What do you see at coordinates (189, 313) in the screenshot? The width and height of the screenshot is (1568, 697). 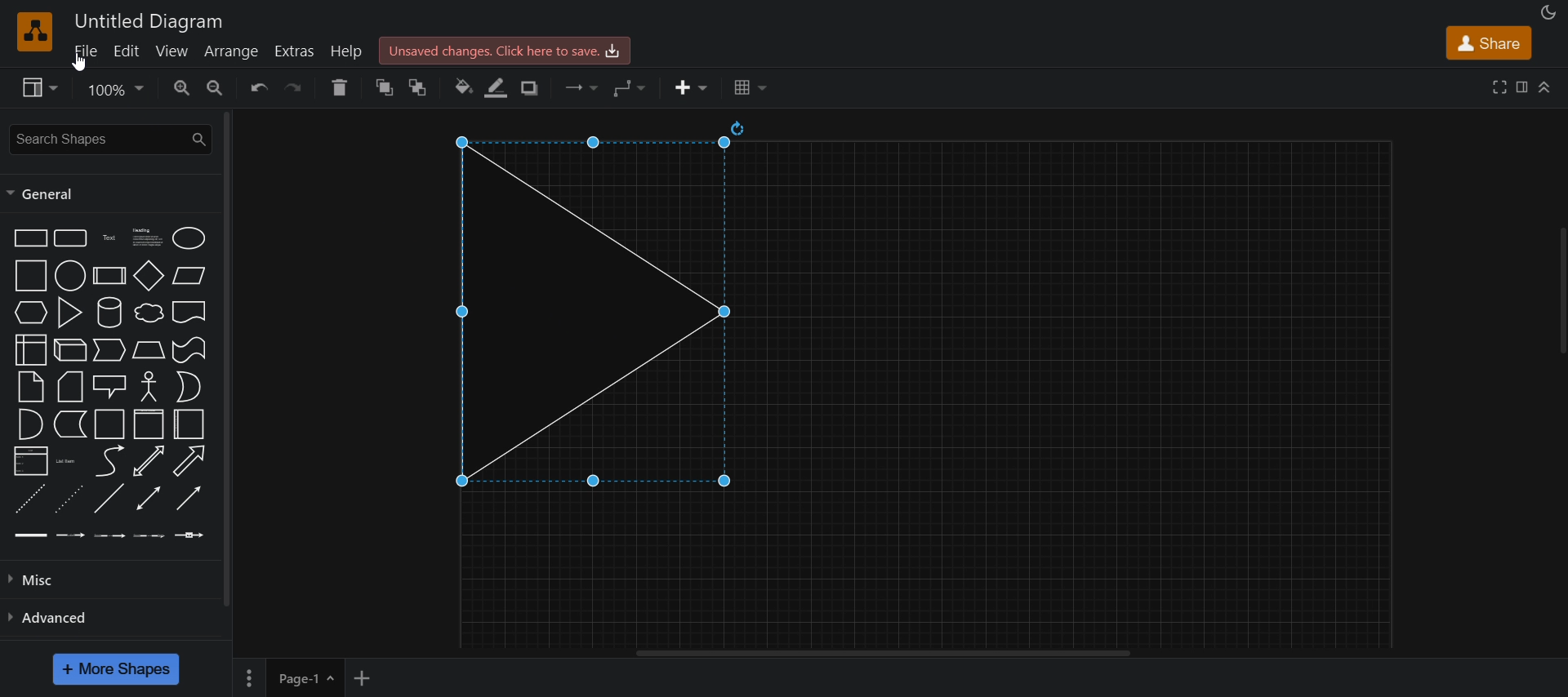 I see `document` at bounding box center [189, 313].